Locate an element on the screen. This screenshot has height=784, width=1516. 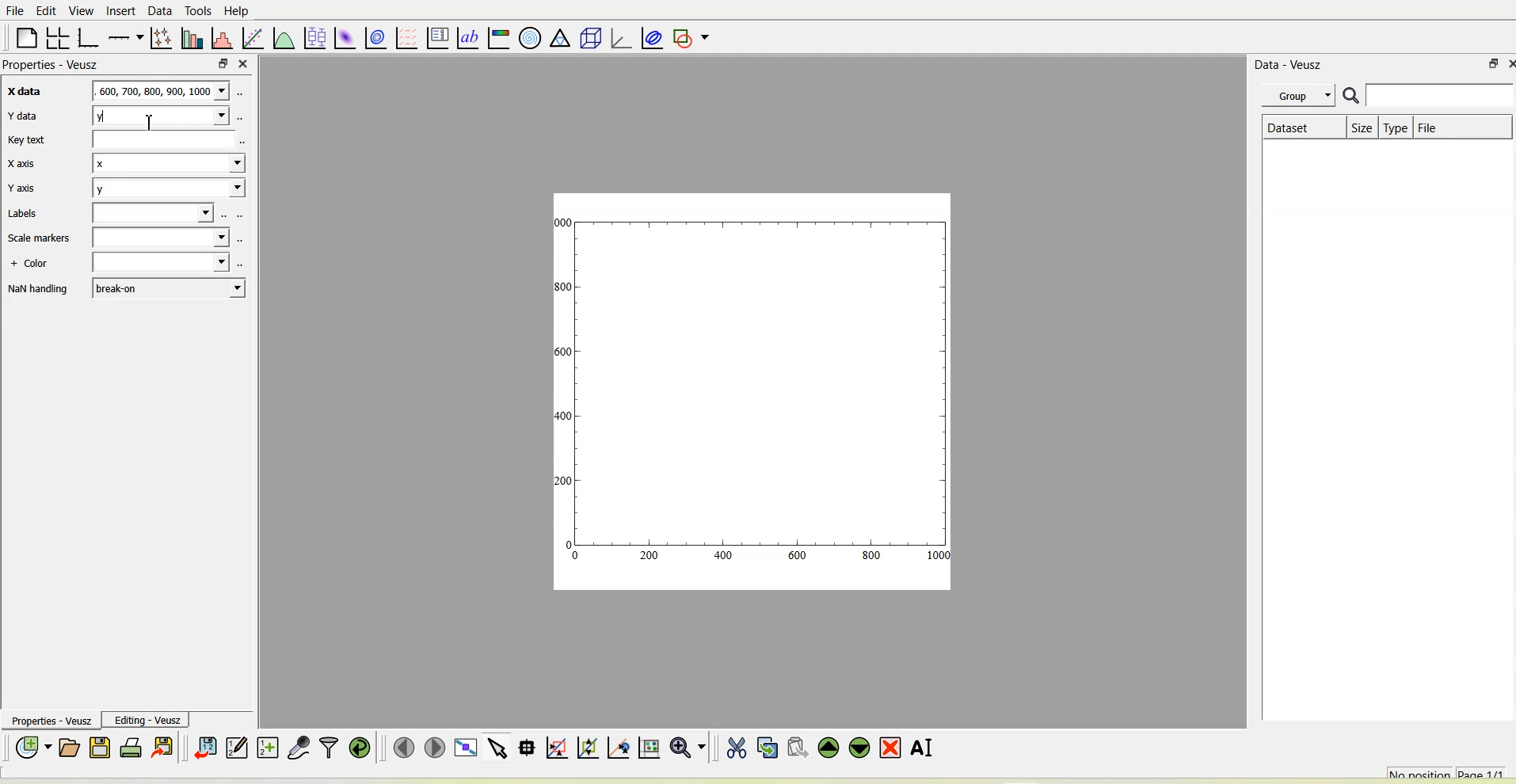
Blank page is located at coordinates (27, 38).